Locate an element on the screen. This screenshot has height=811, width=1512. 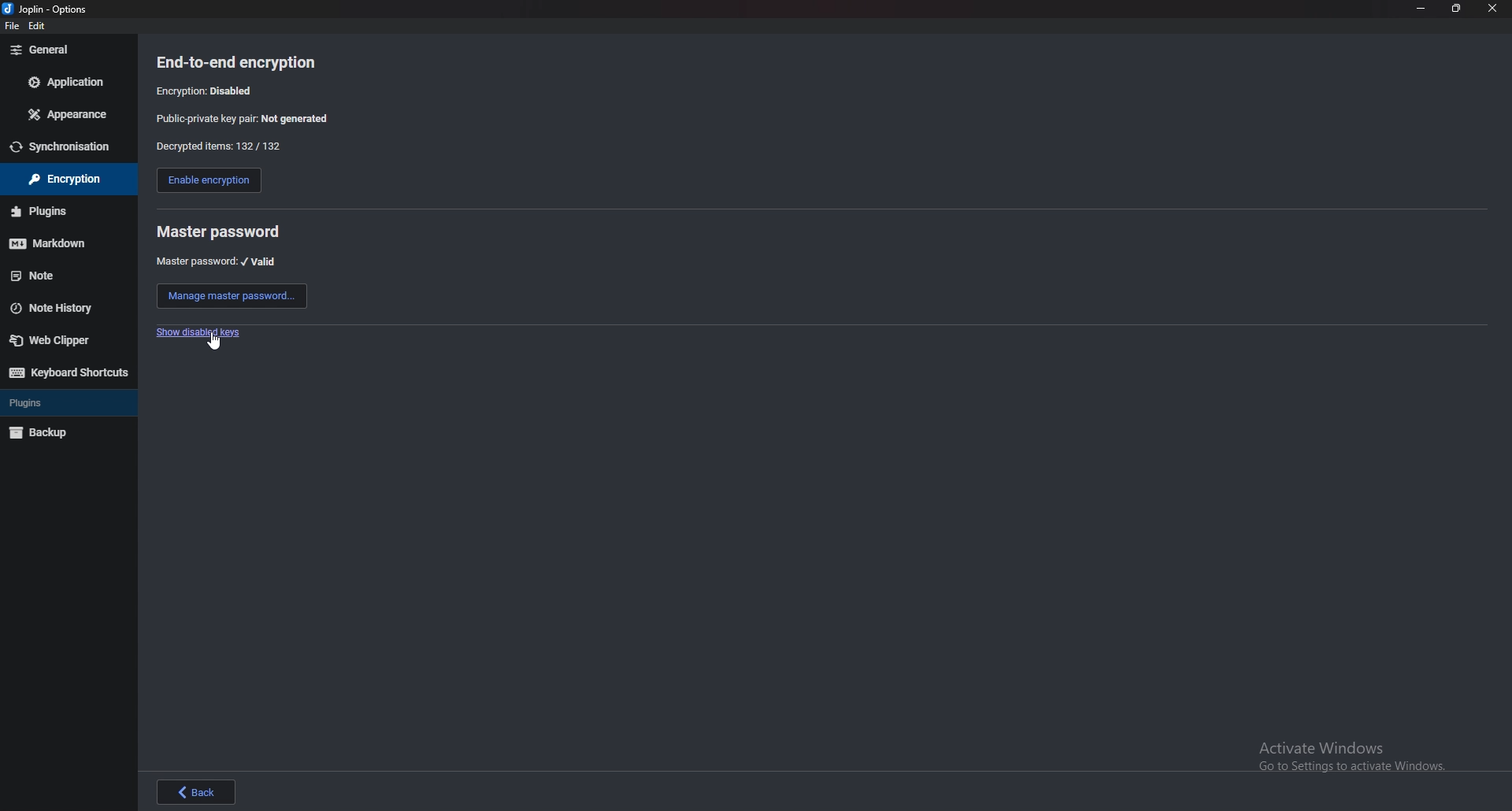
edit is located at coordinates (39, 24).